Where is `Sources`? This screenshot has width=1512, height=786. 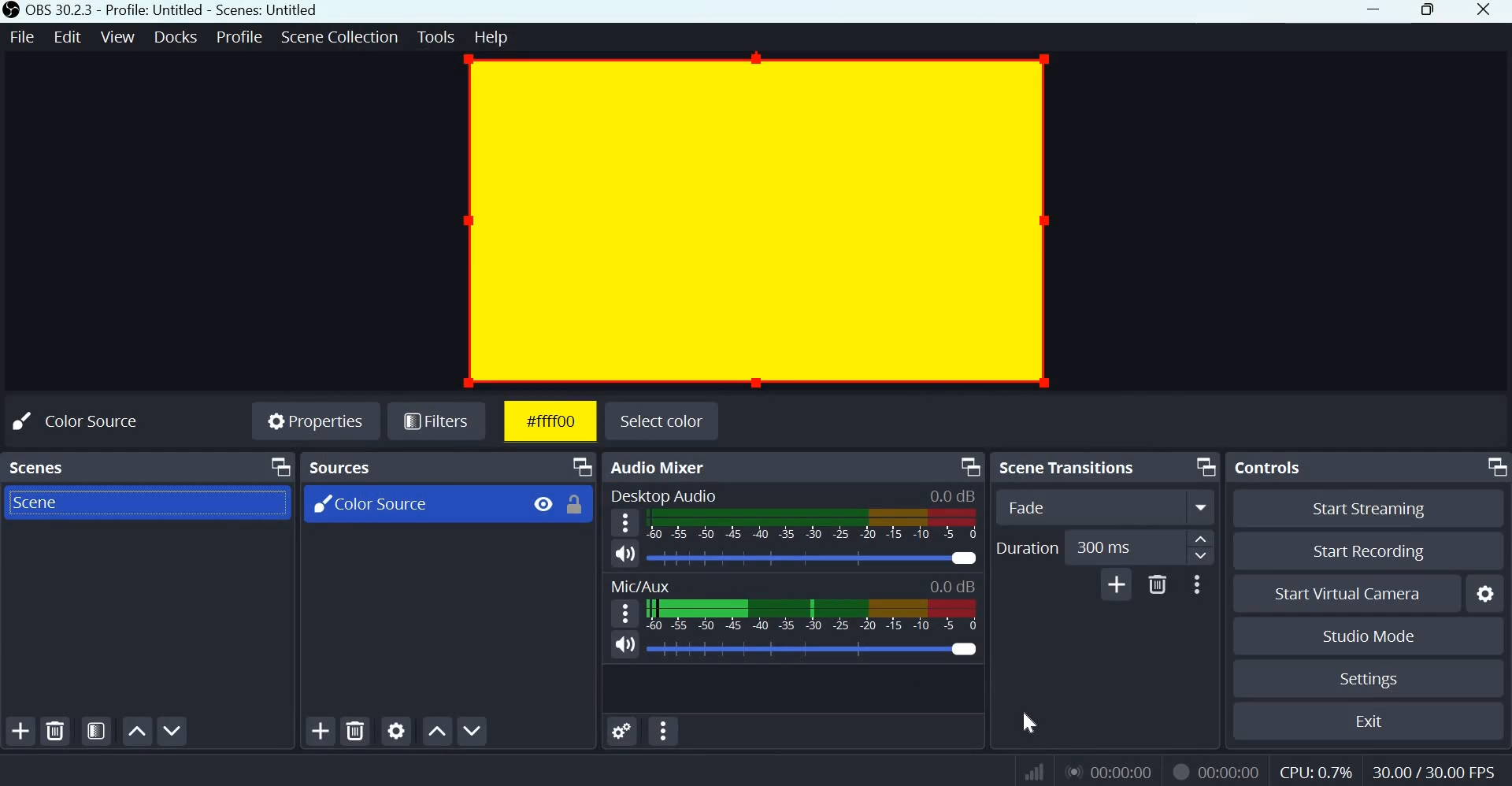
Sources is located at coordinates (343, 466).